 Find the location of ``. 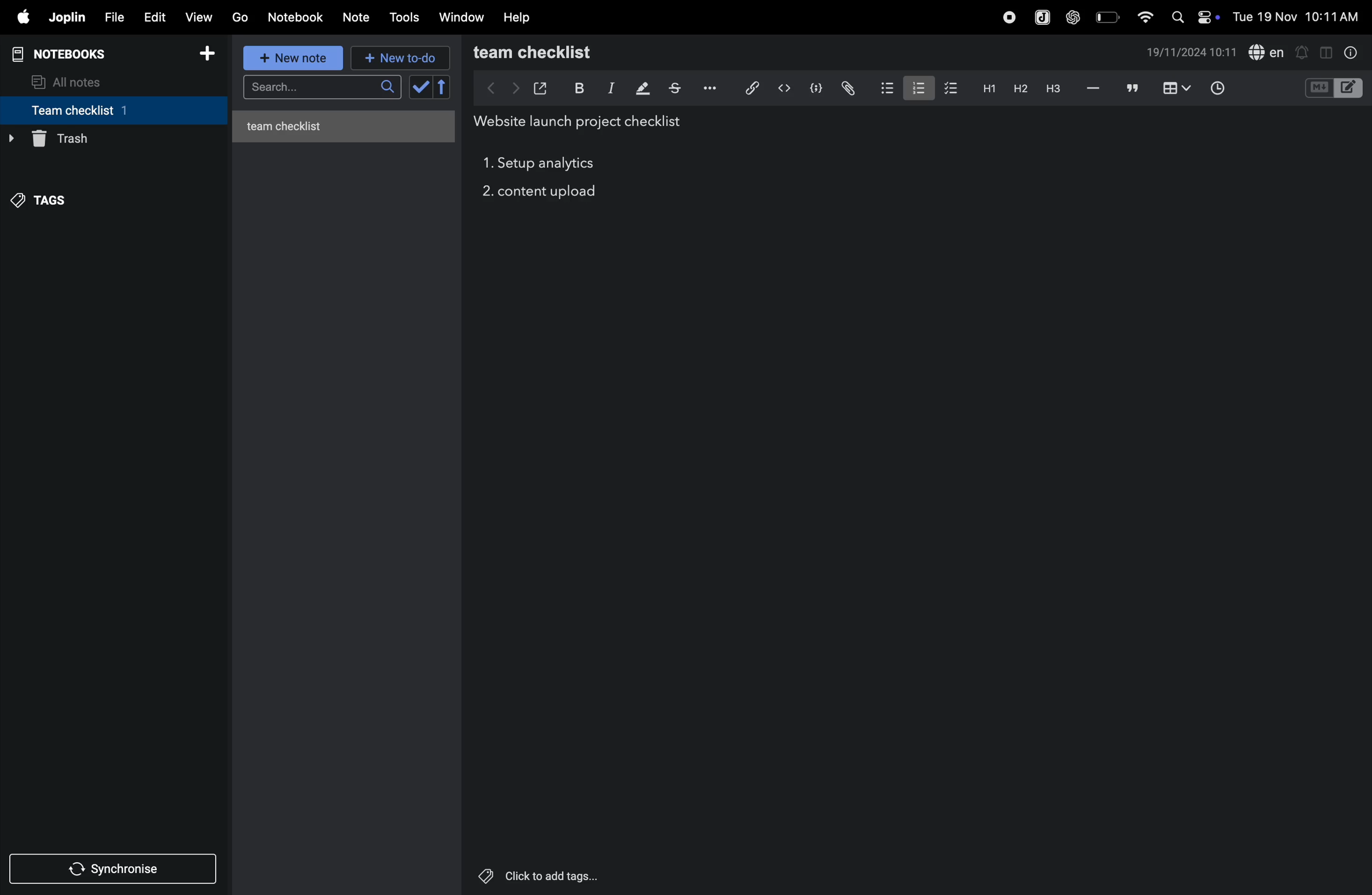

 is located at coordinates (1301, 51).